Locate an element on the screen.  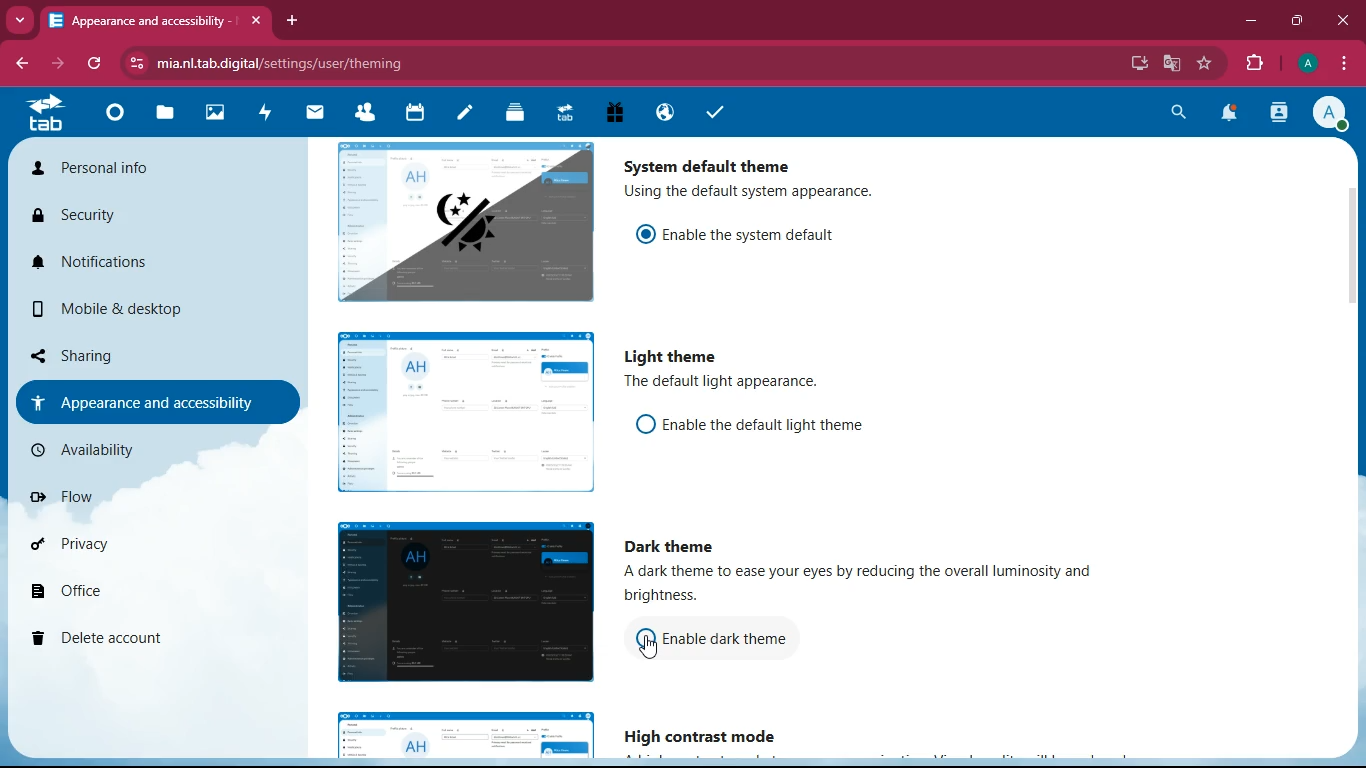
personal info is located at coordinates (124, 172).